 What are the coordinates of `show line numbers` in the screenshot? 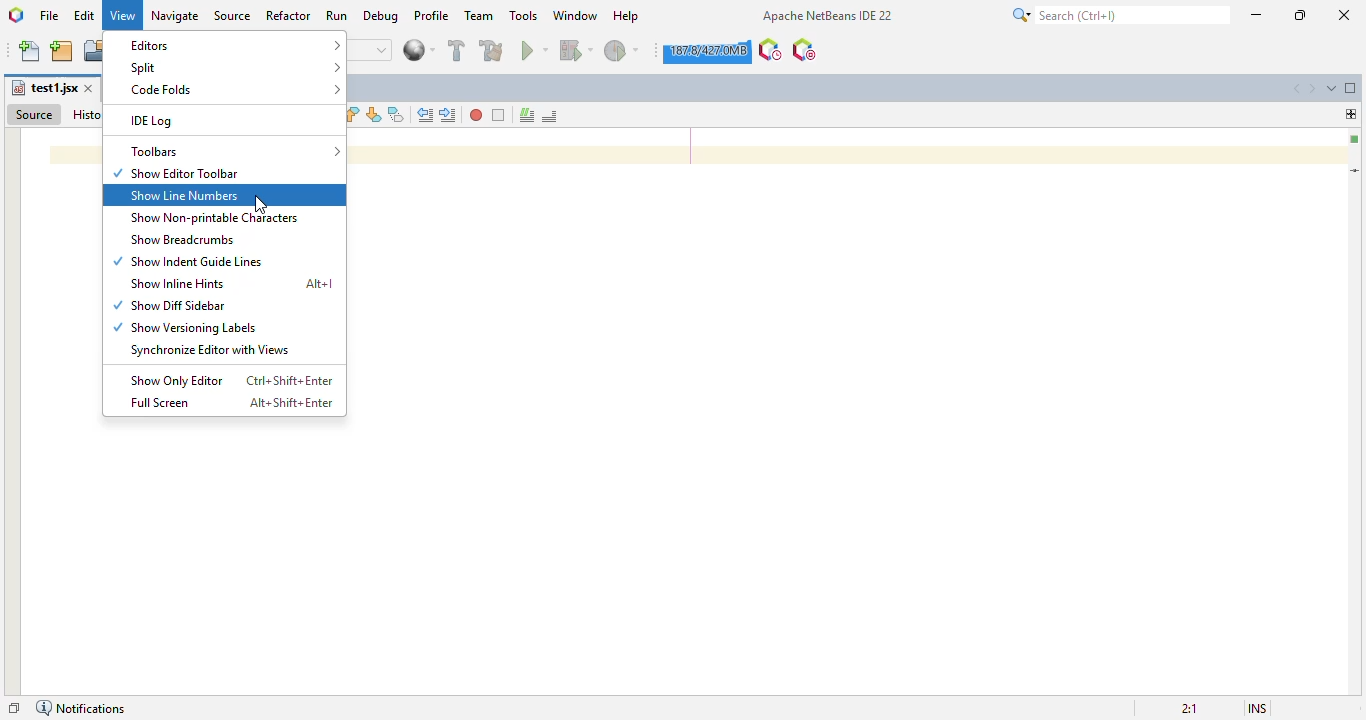 It's located at (185, 195).